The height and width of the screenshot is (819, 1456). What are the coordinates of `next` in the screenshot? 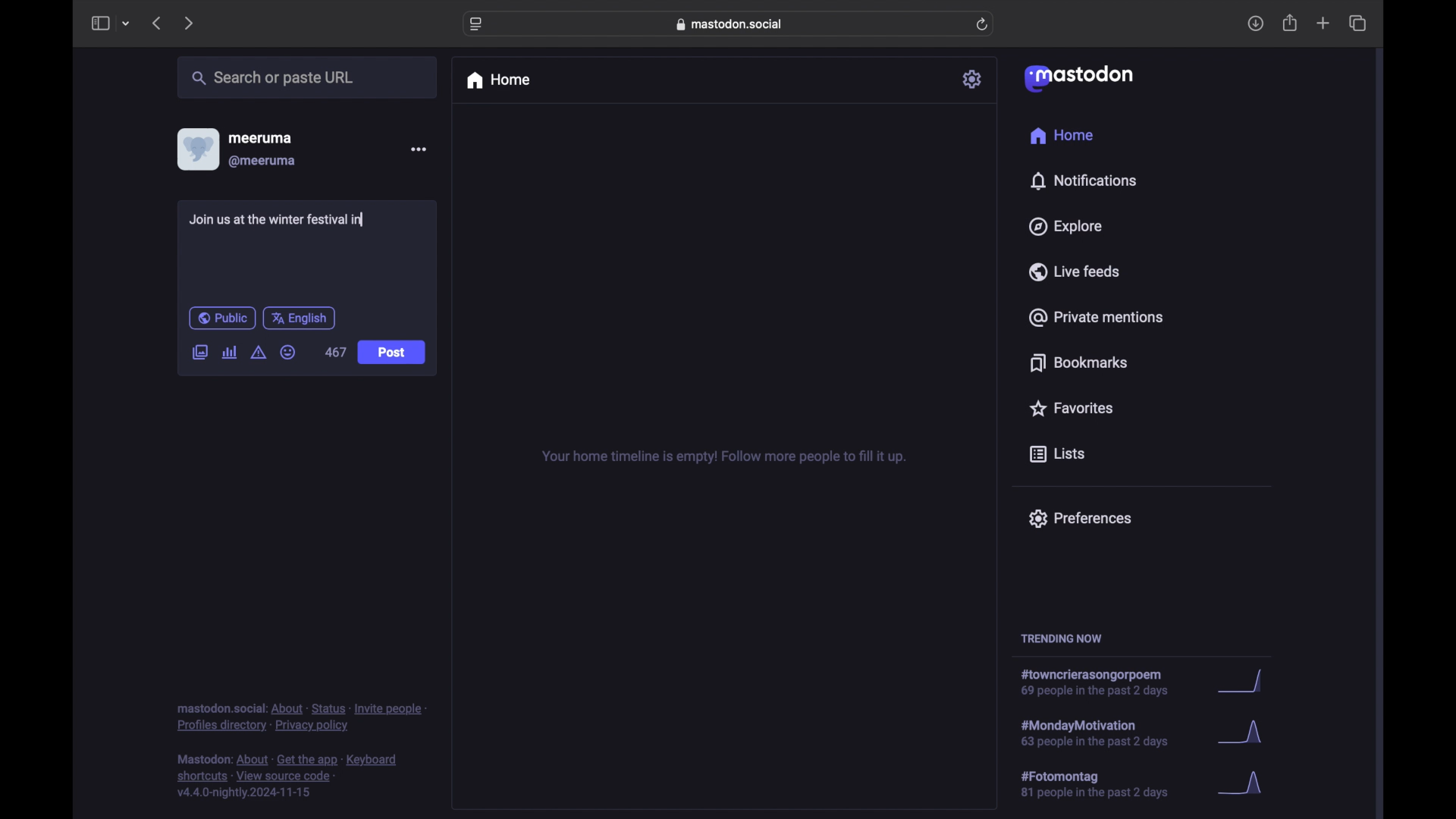 It's located at (190, 23).